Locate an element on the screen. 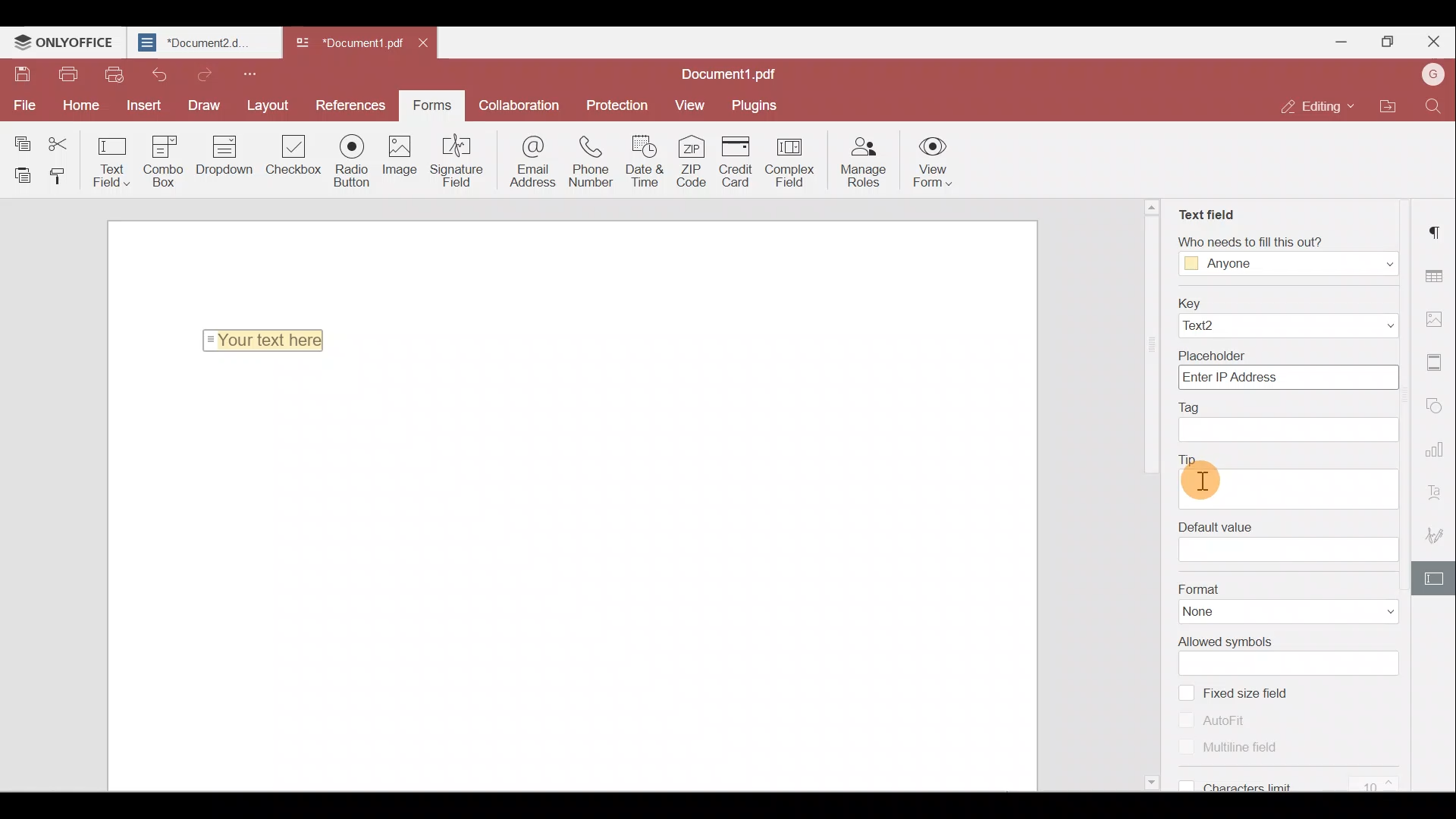 This screenshot has height=819, width=1456. Enter IP Address is located at coordinates (1288, 378).